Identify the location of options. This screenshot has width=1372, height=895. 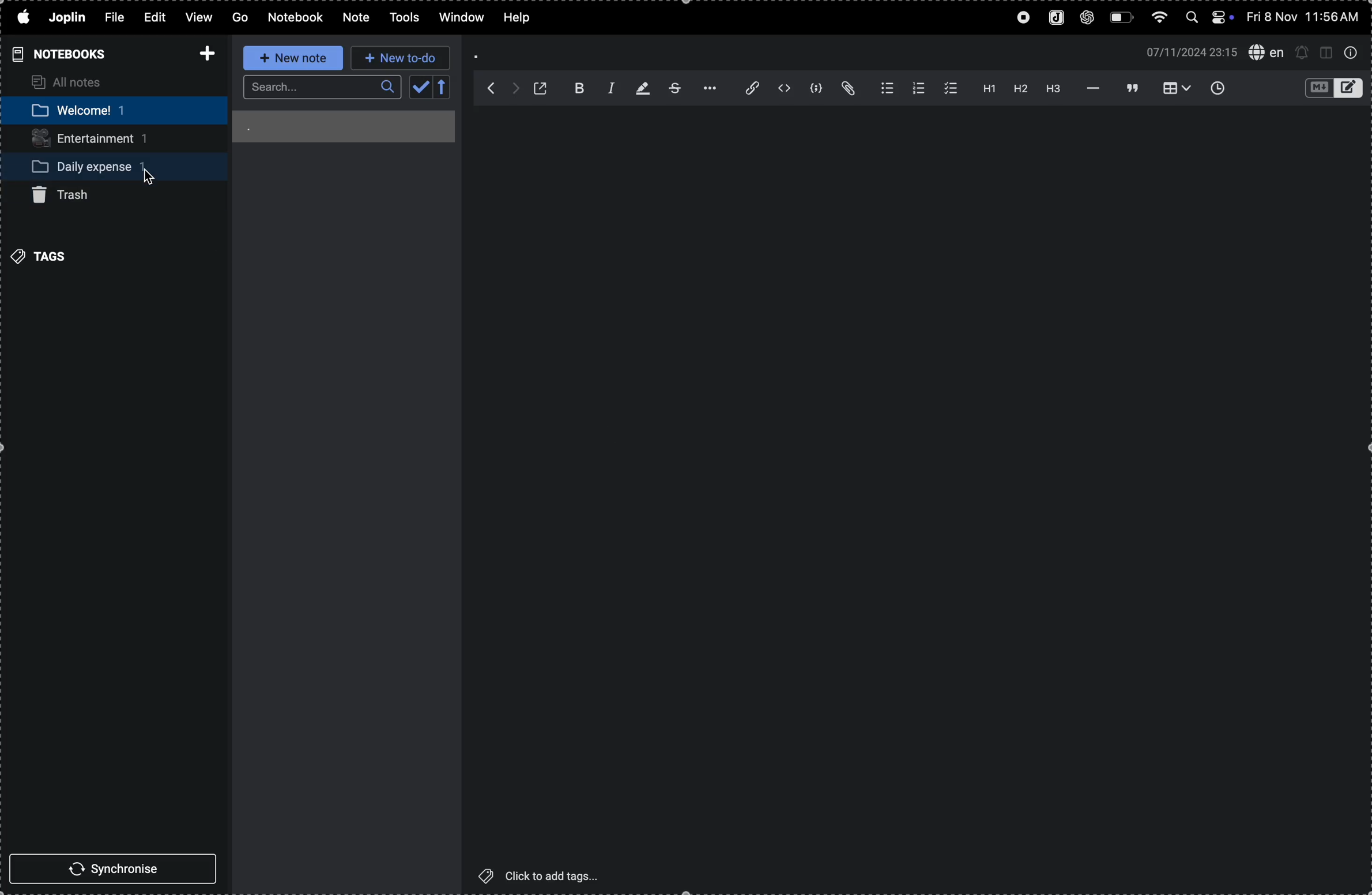
(706, 88).